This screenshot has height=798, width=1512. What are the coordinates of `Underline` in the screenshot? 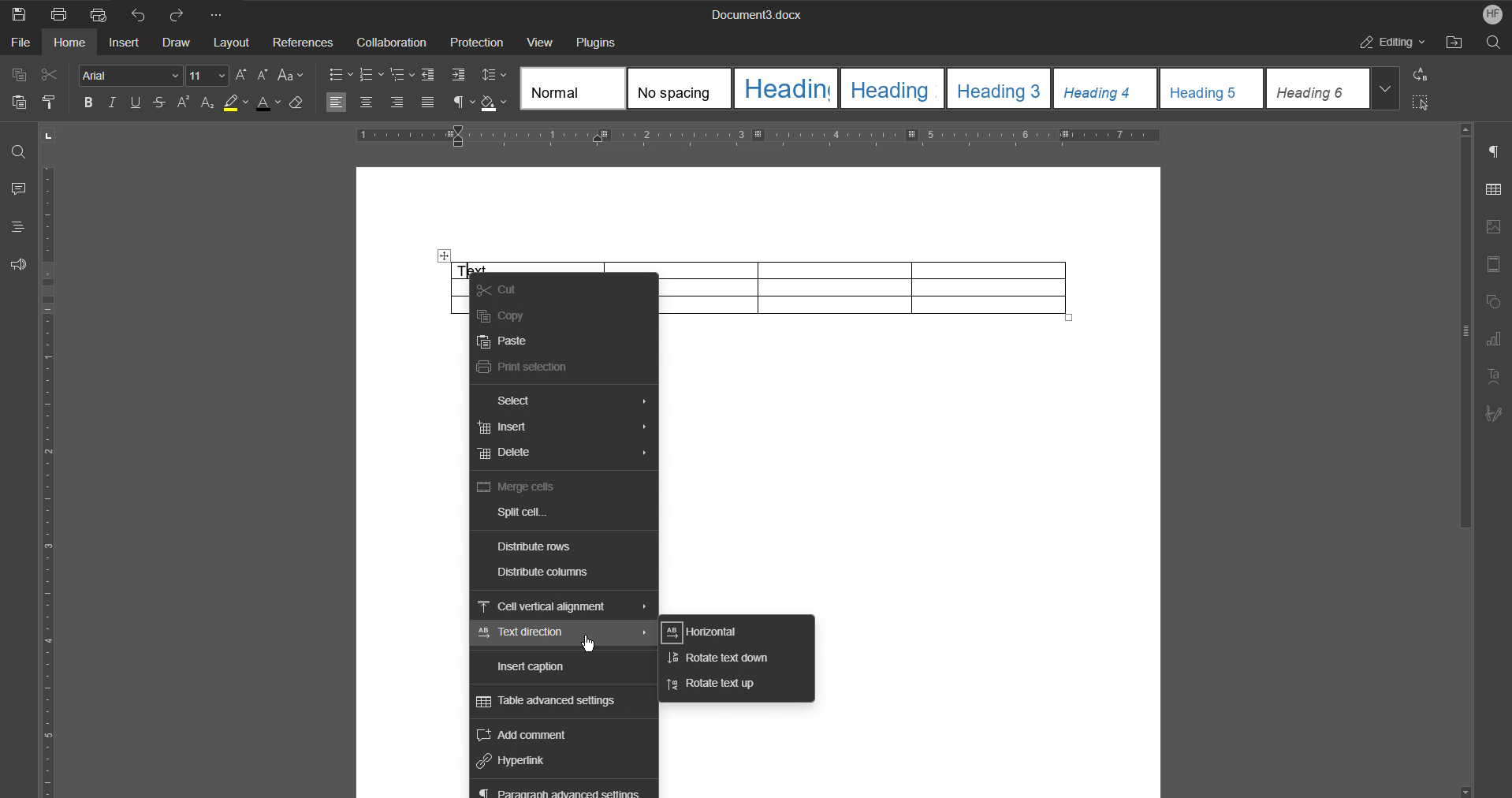 It's located at (136, 103).